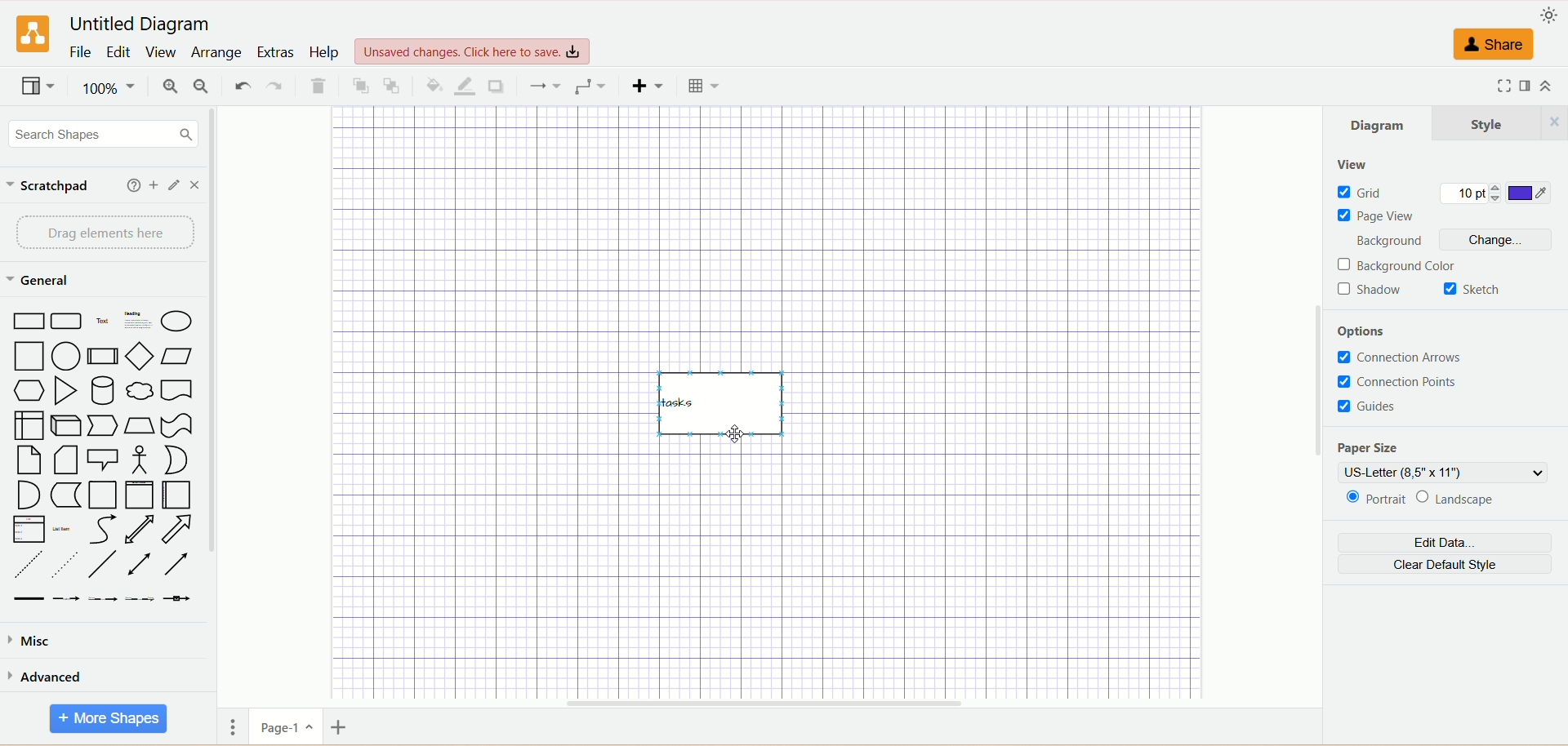  I want to click on Sparsely Dotted Line, so click(64, 567).